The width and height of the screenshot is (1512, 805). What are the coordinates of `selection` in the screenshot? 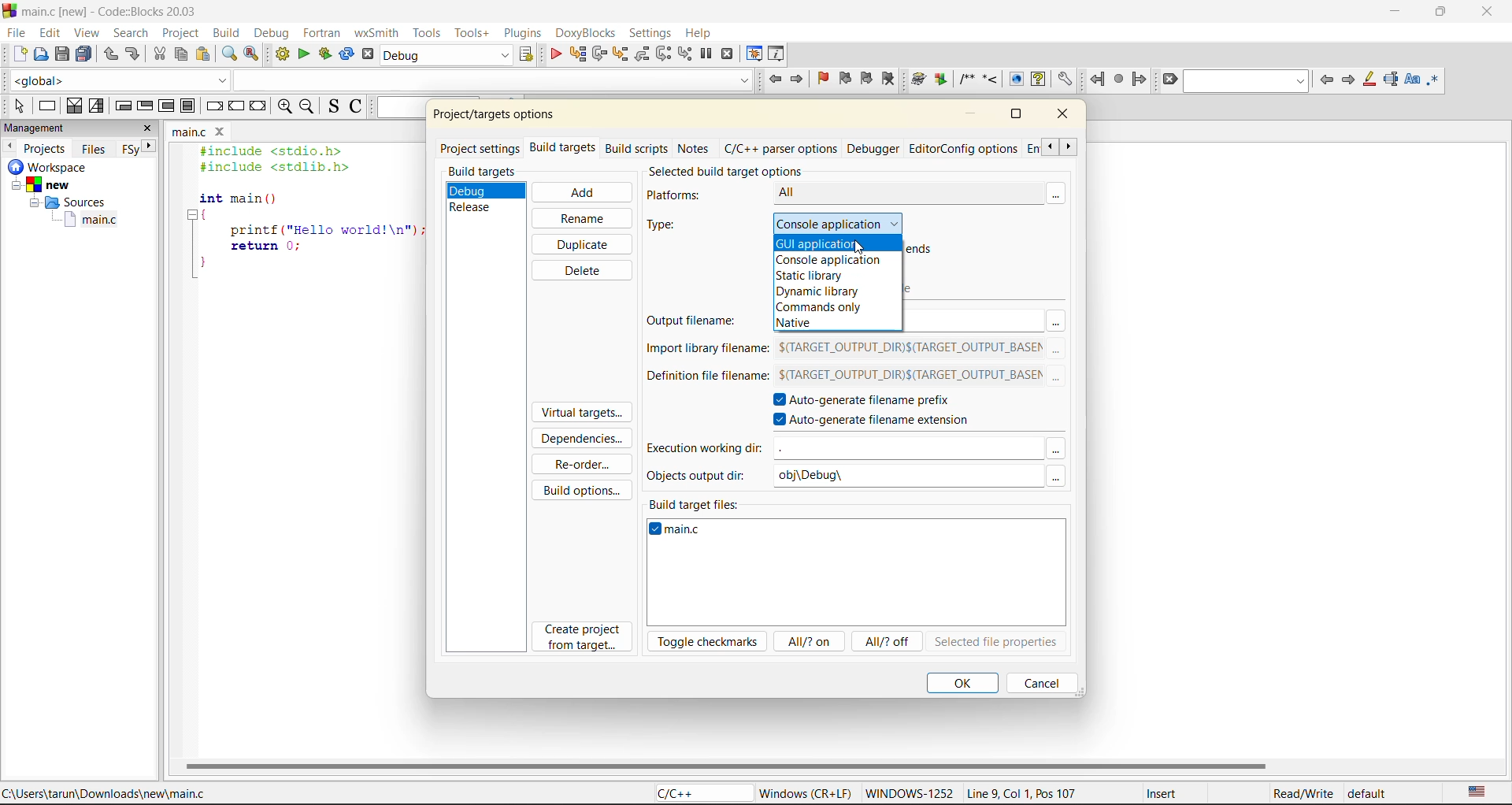 It's located at (98, 106).